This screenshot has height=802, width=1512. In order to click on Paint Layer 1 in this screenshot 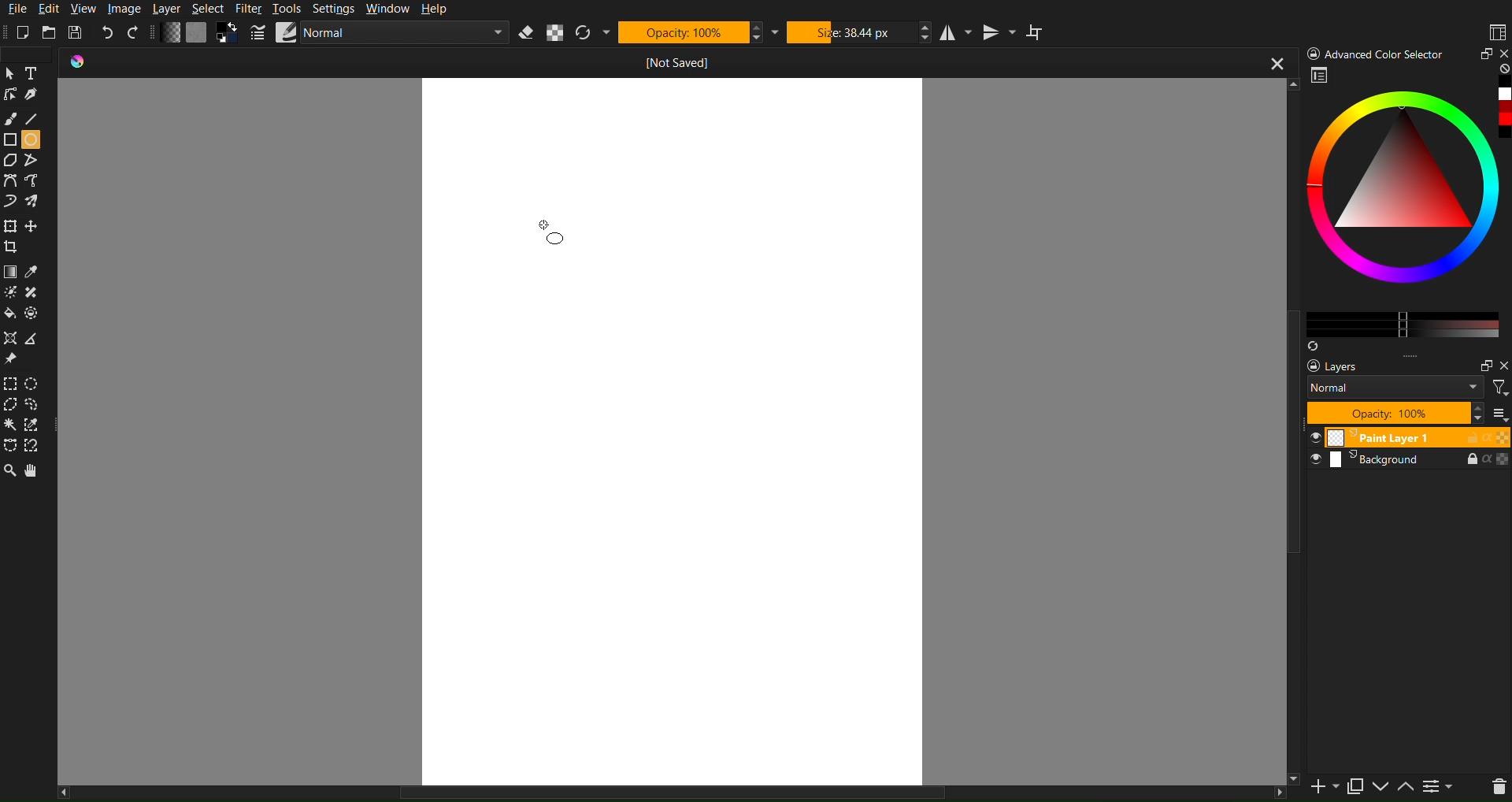, I will do `click(1408, 436)`.